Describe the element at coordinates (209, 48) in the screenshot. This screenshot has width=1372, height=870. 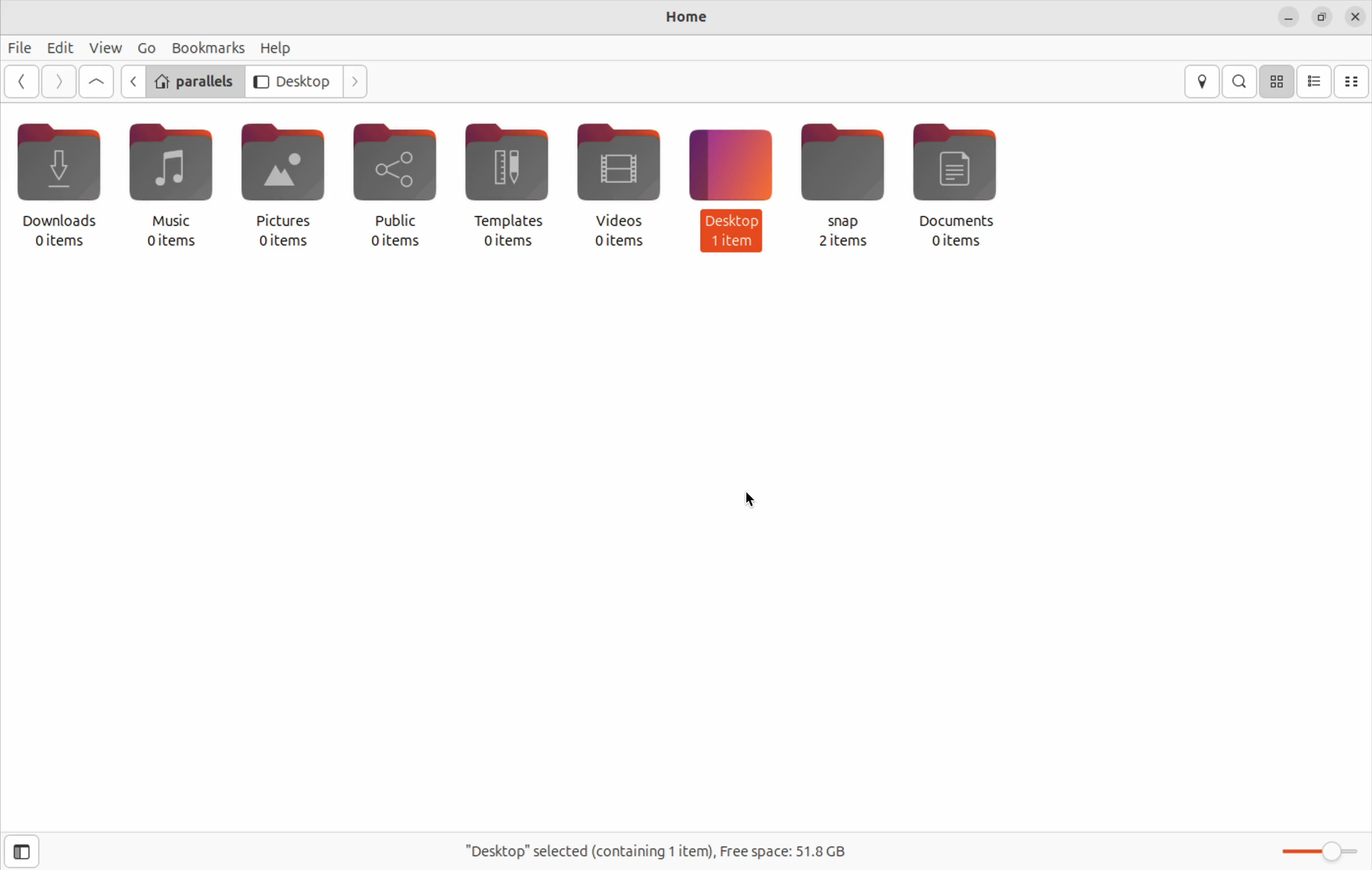
I see `bookmarks` at that location.